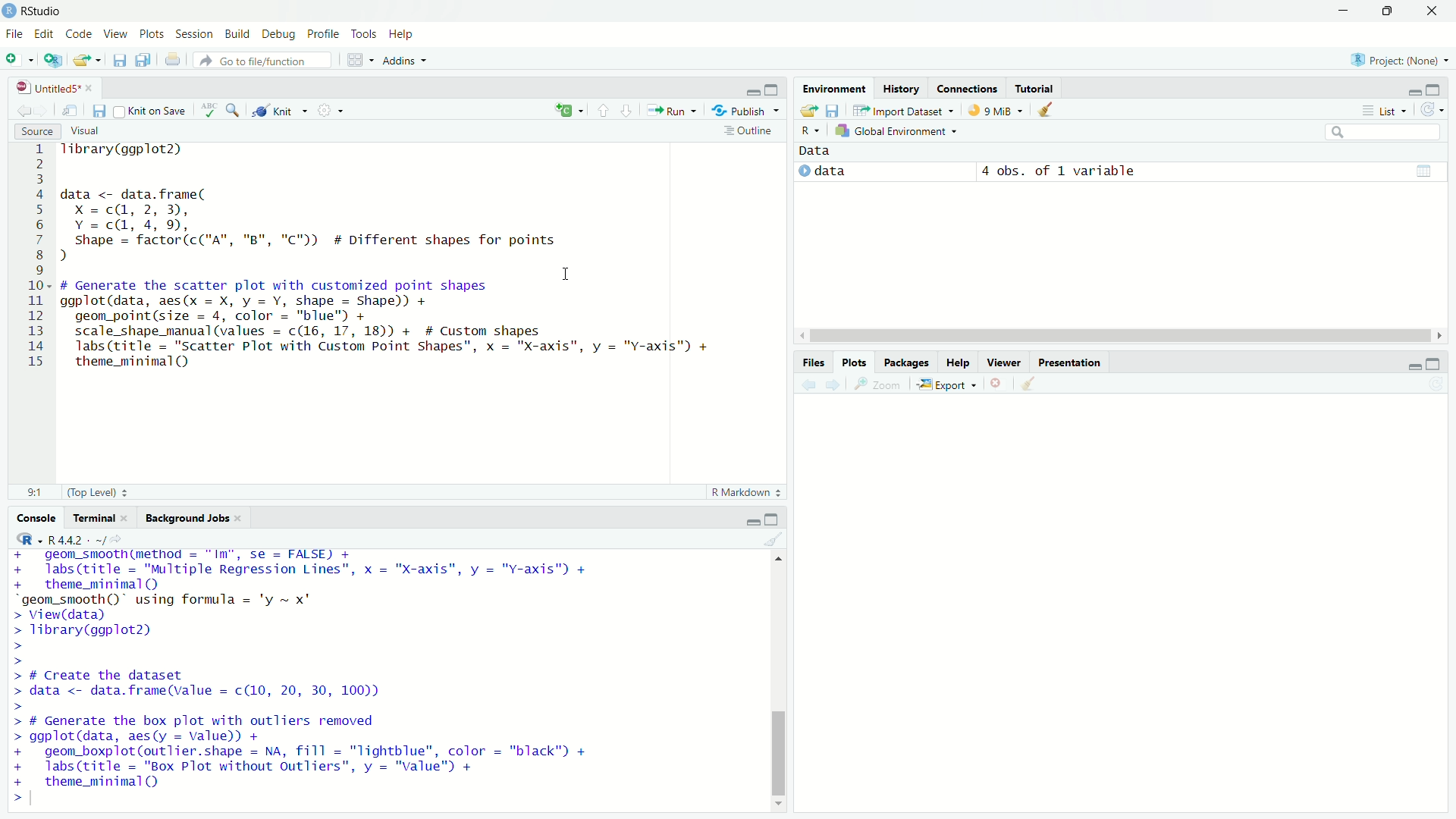 The width and height of the screenshot is (1456, 819). I want to click on maximize, so click(1433, 364).